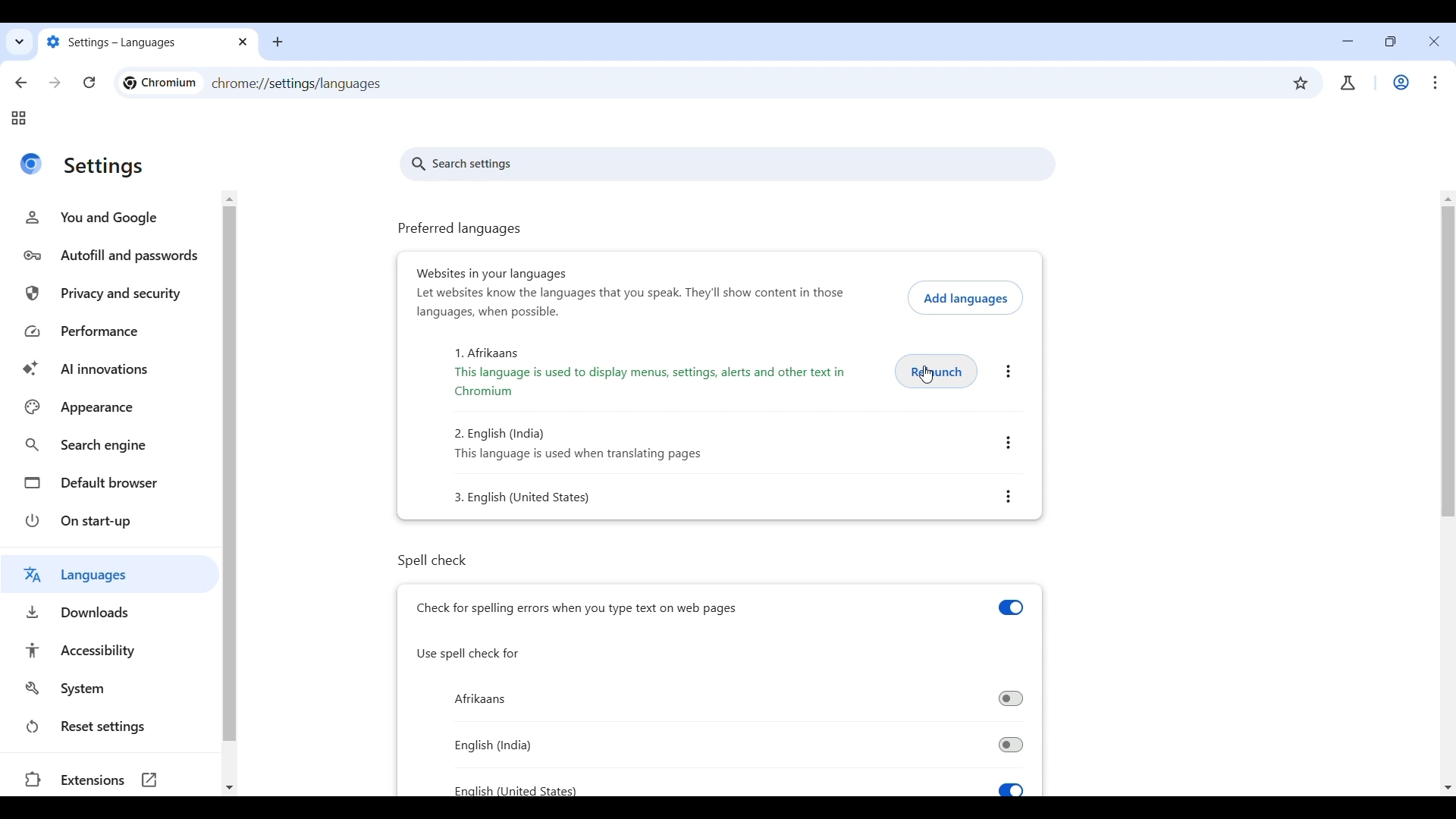  Describe the element at coordinates (109, 217) in the screenshot. I see `You and Google` at that location.